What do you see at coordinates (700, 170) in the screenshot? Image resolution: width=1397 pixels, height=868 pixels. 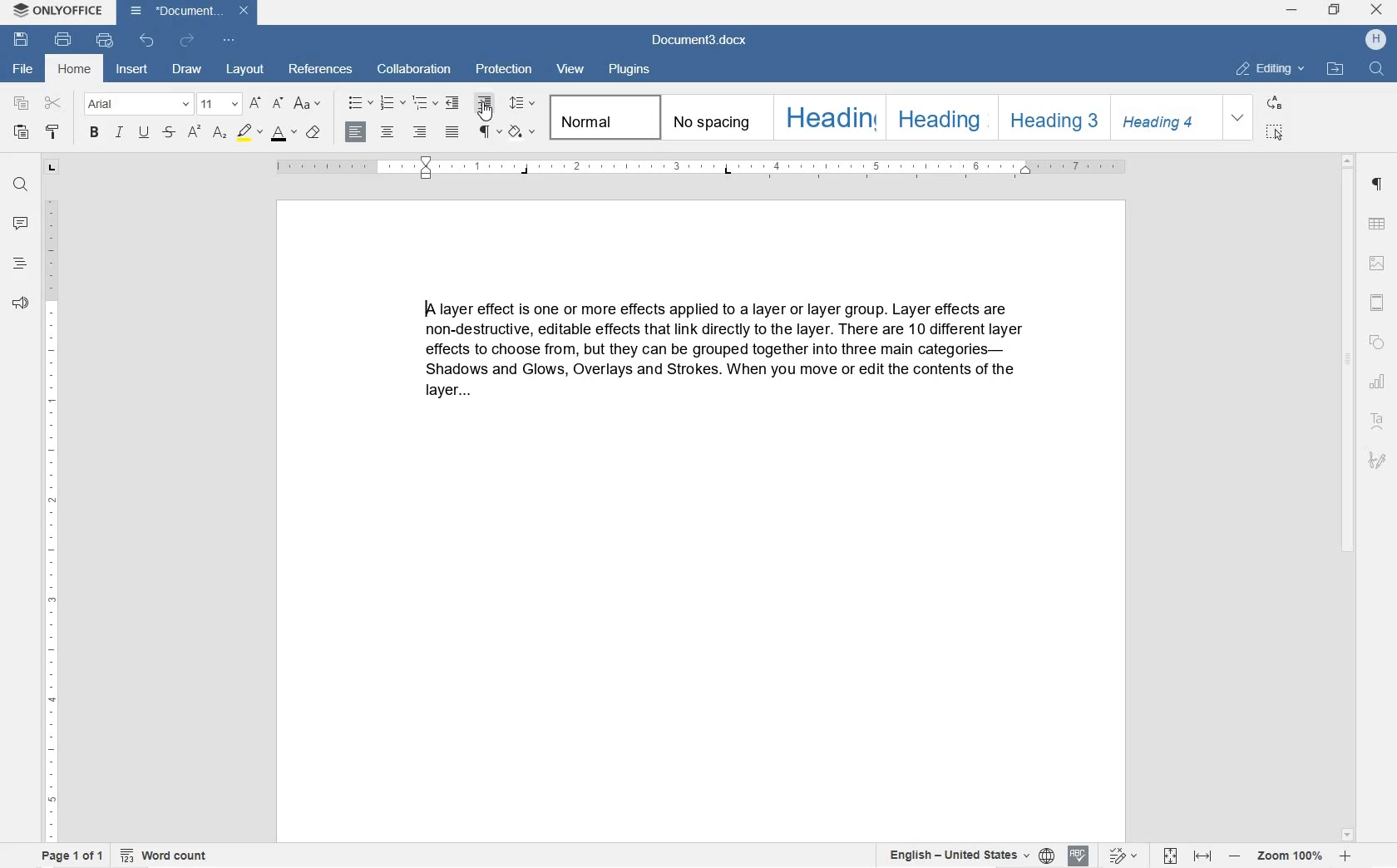 I see `RULER` at bounding box center [700, 170].